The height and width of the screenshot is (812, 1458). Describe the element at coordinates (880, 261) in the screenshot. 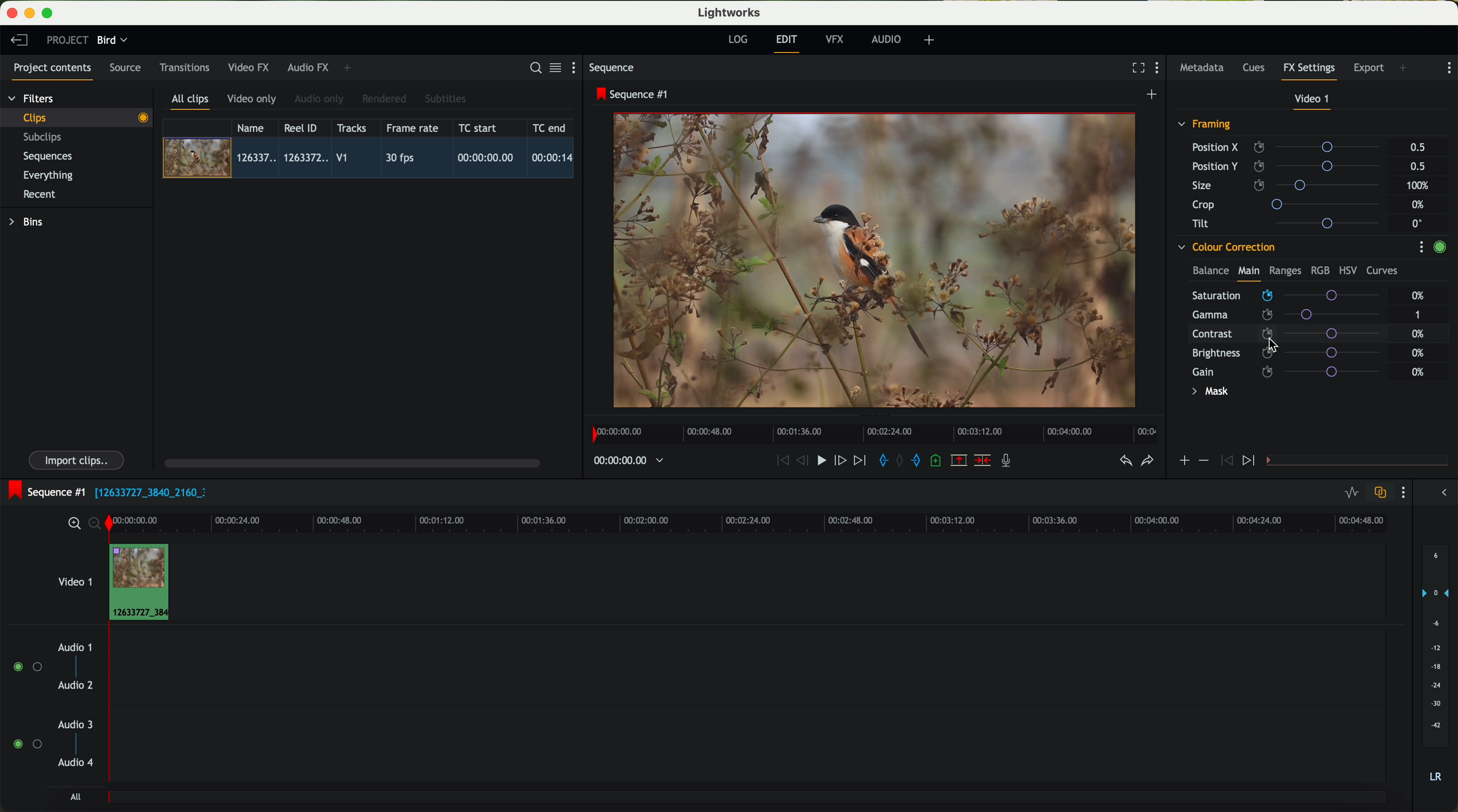

I see `video preview` at that location.